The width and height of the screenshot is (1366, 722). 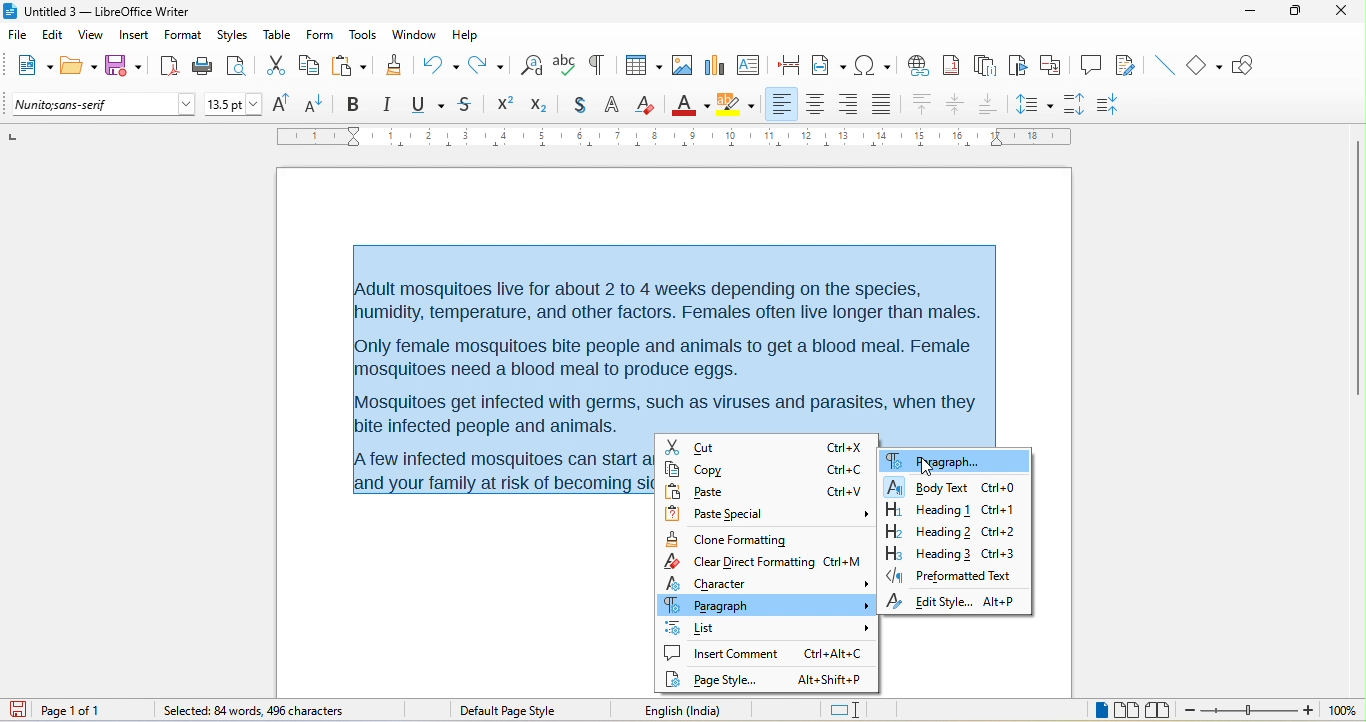 What do you see at coordinates (923, 105) in the screenshot?
I see `align top` at bounding box center [923, 105].